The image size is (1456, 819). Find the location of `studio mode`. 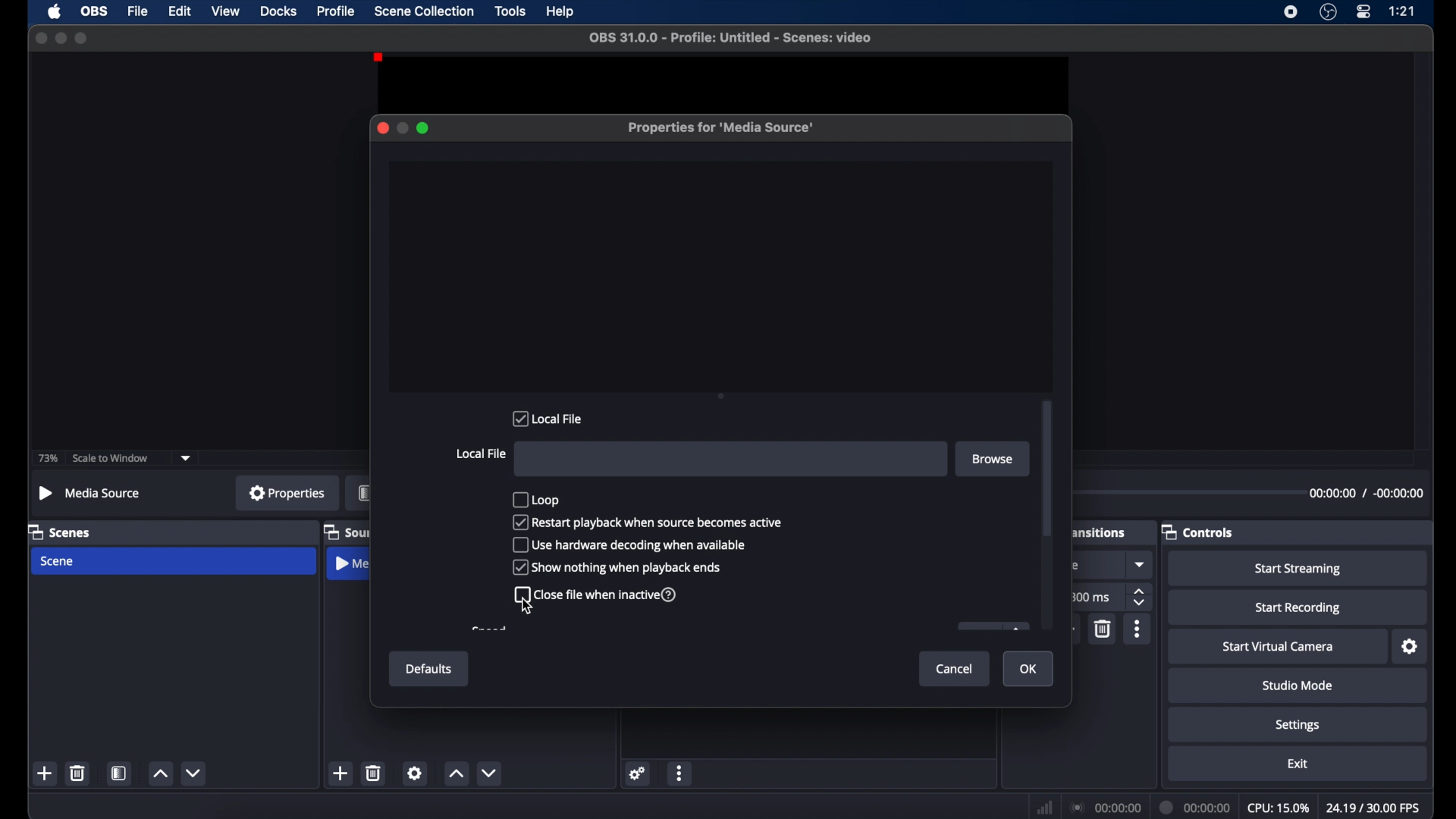

studio mode is located at coordinates (1295, 686).